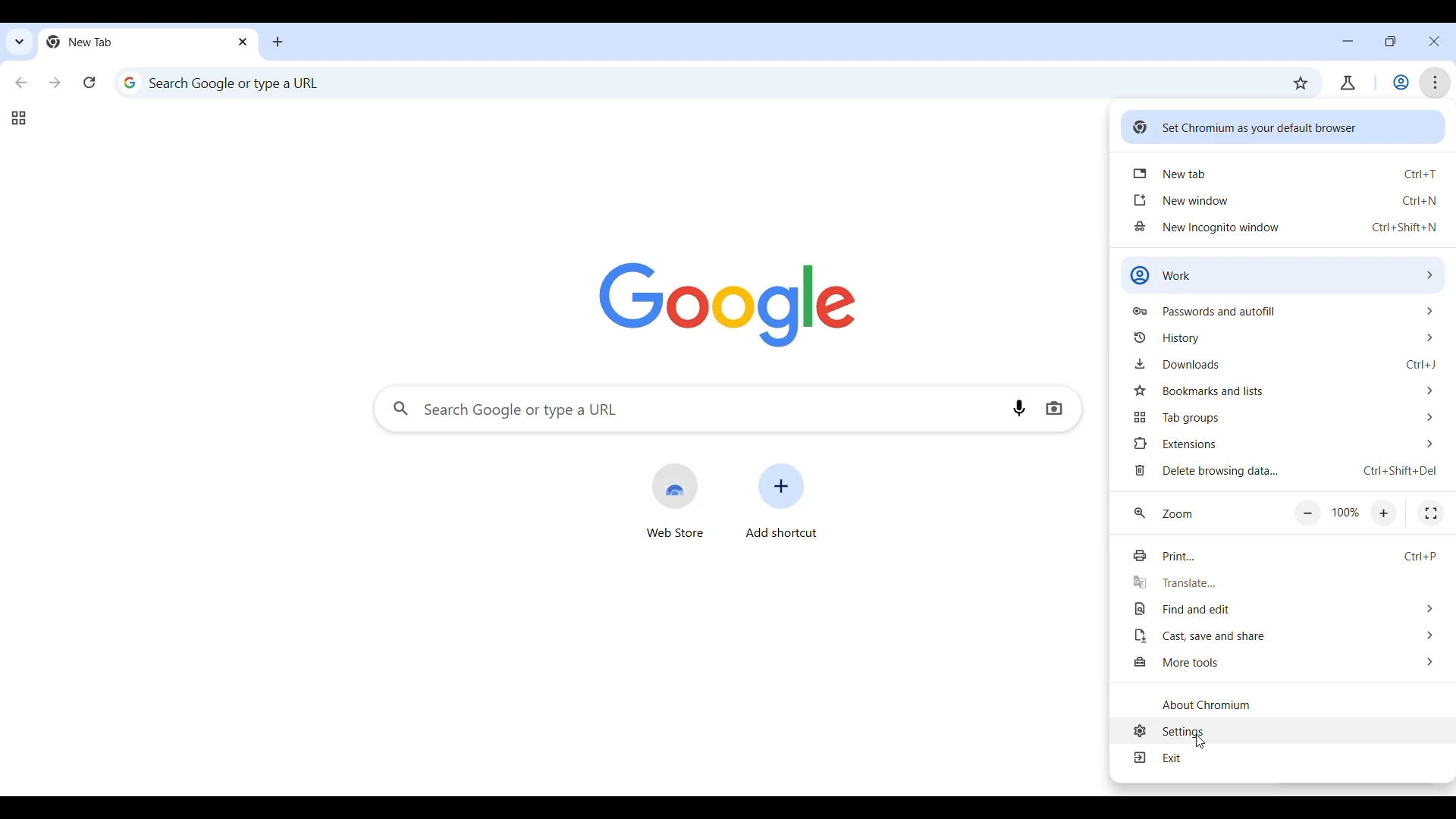  Describe the element at coordinates (1024, 408) in the screenshot. I see `Search by voice` at that location.